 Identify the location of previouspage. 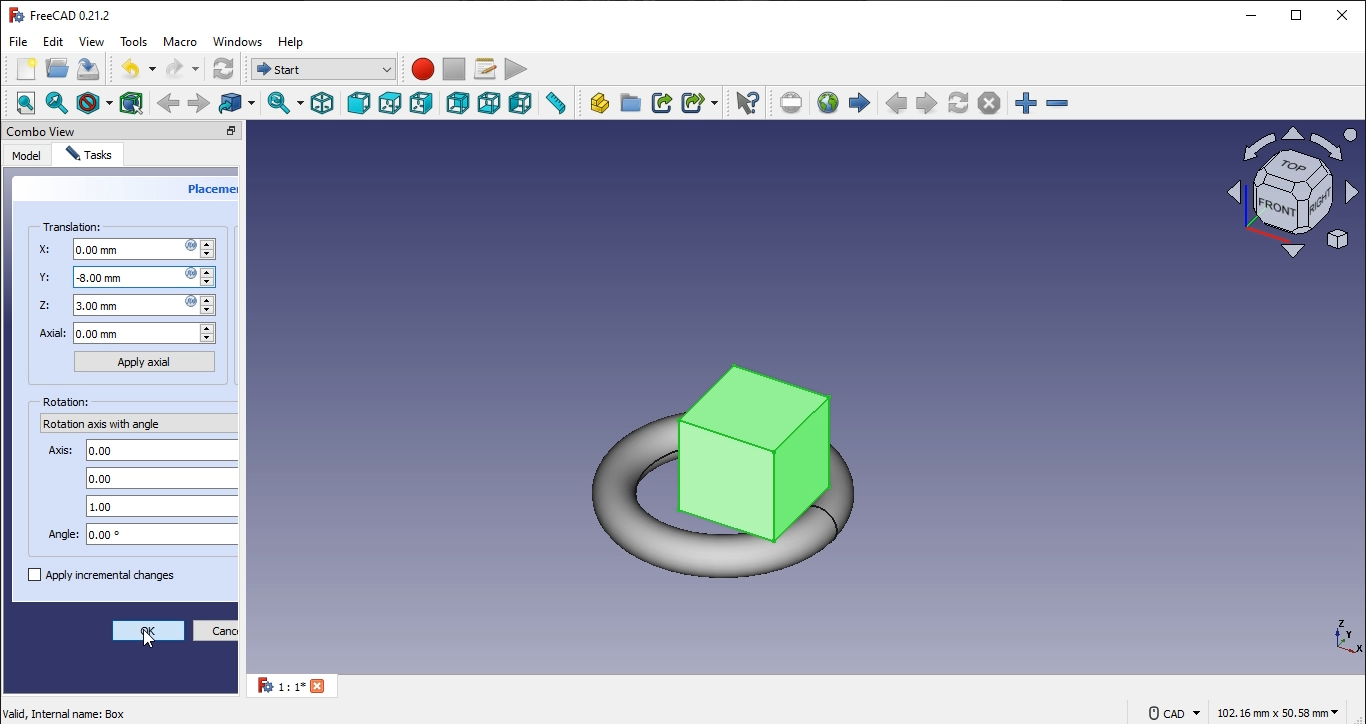
(896, 103).